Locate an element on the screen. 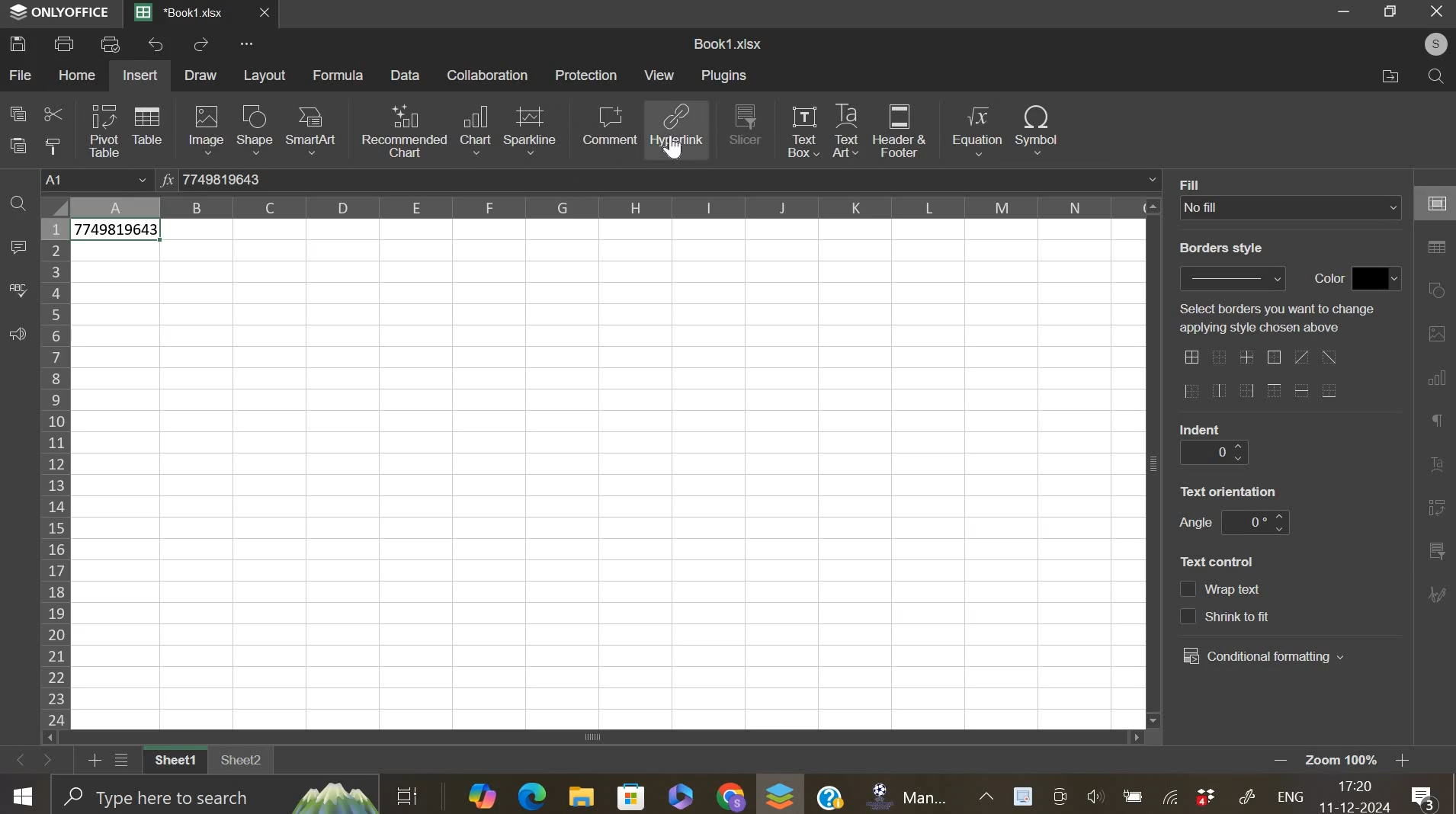 This screenshot has width=1456, height=814. sheet 2 is located at coordinates (242, 765).